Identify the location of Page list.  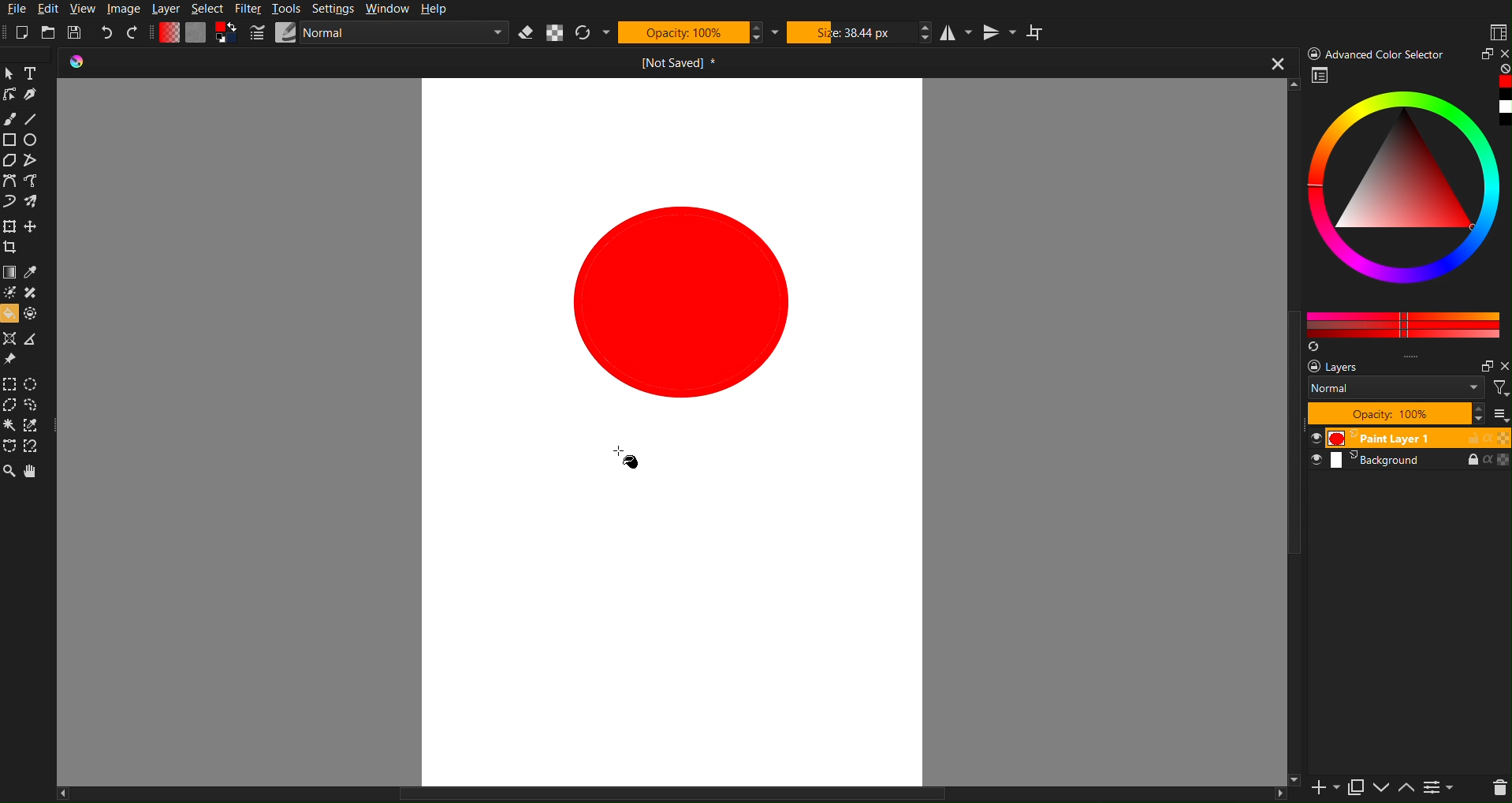
(1443, 789).